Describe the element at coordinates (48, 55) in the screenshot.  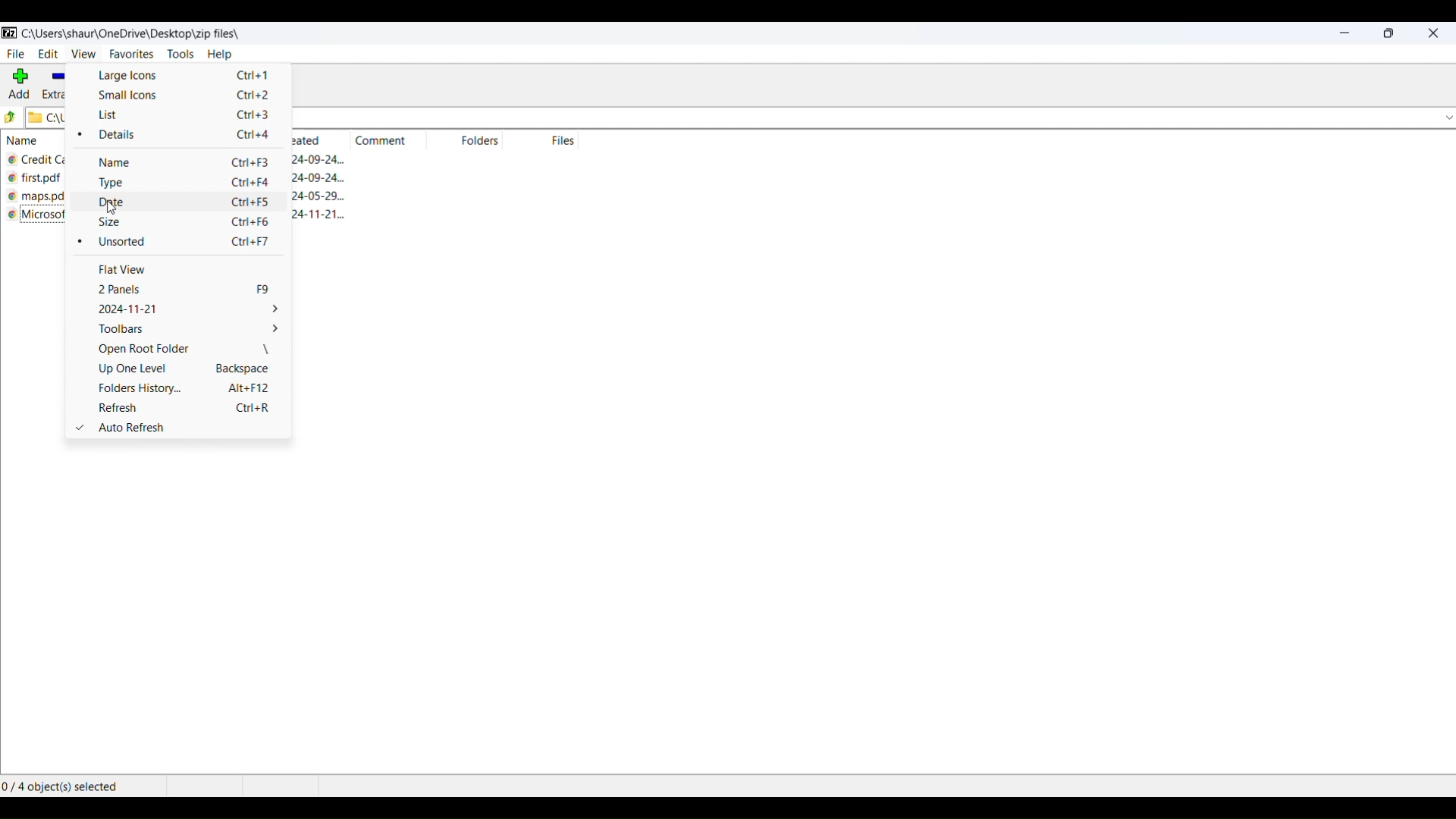
I see `edit` at that location.